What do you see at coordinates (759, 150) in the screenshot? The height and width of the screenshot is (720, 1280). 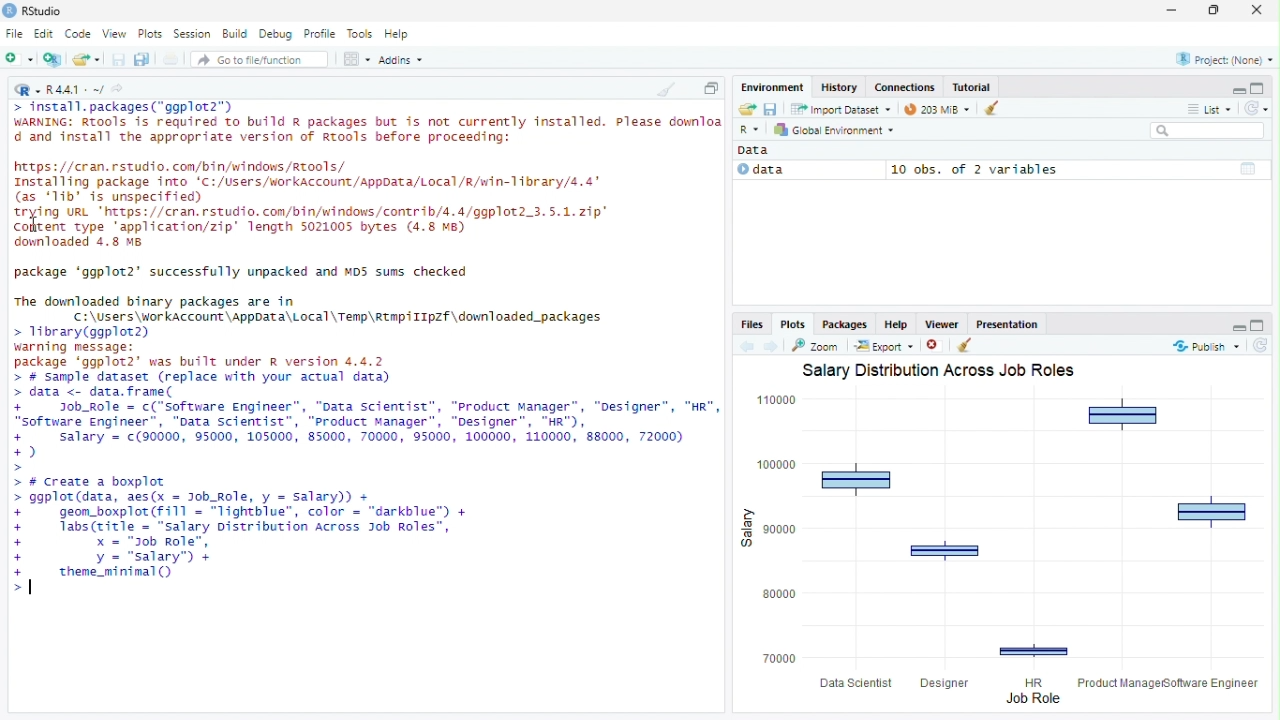 I see `Data` at bounding box center [759, 150].